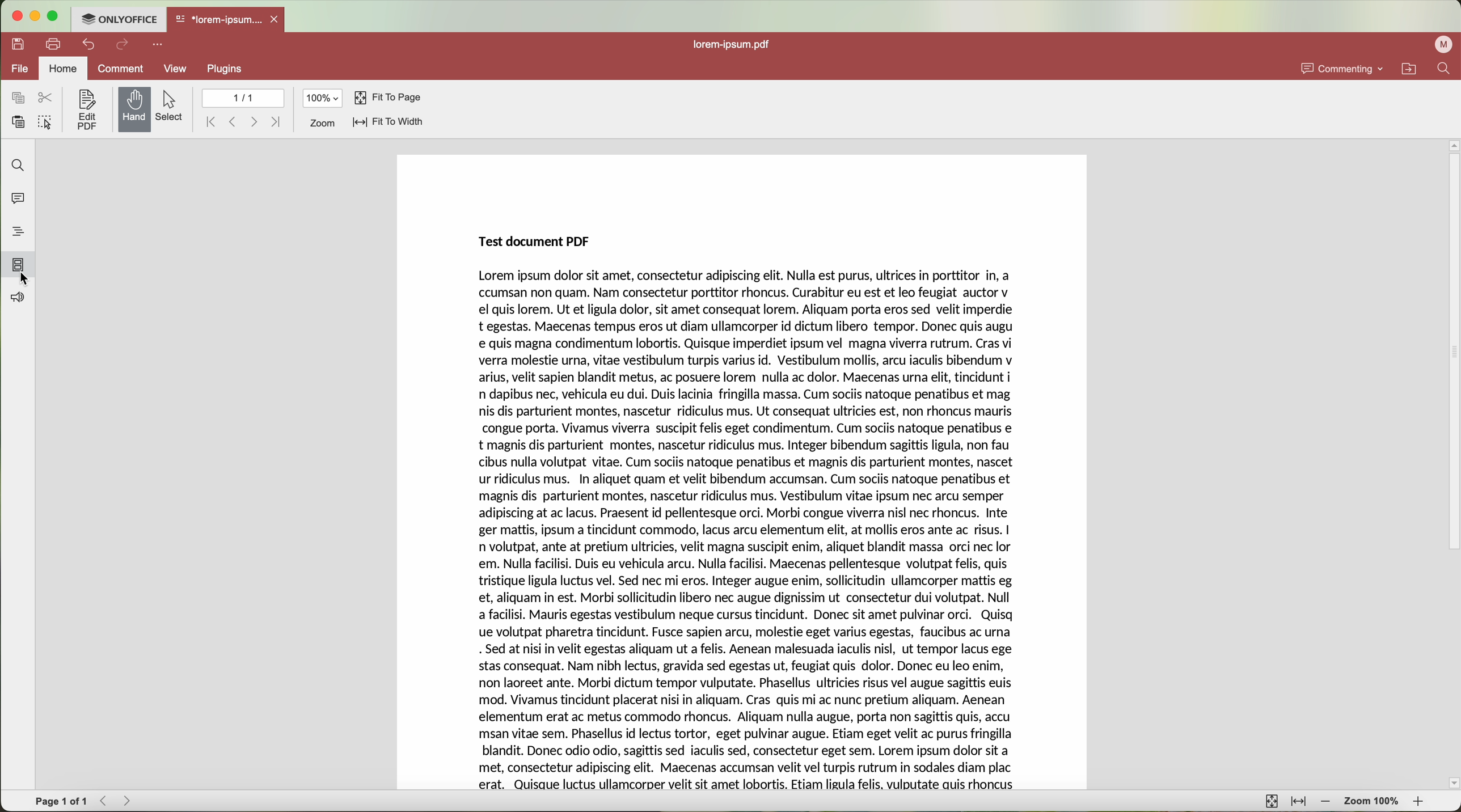 This screenshot has width=1461, height=812. Describe the element at coordinates (1373, 801) in the screenshot. I see `zoom 100%` at that location.